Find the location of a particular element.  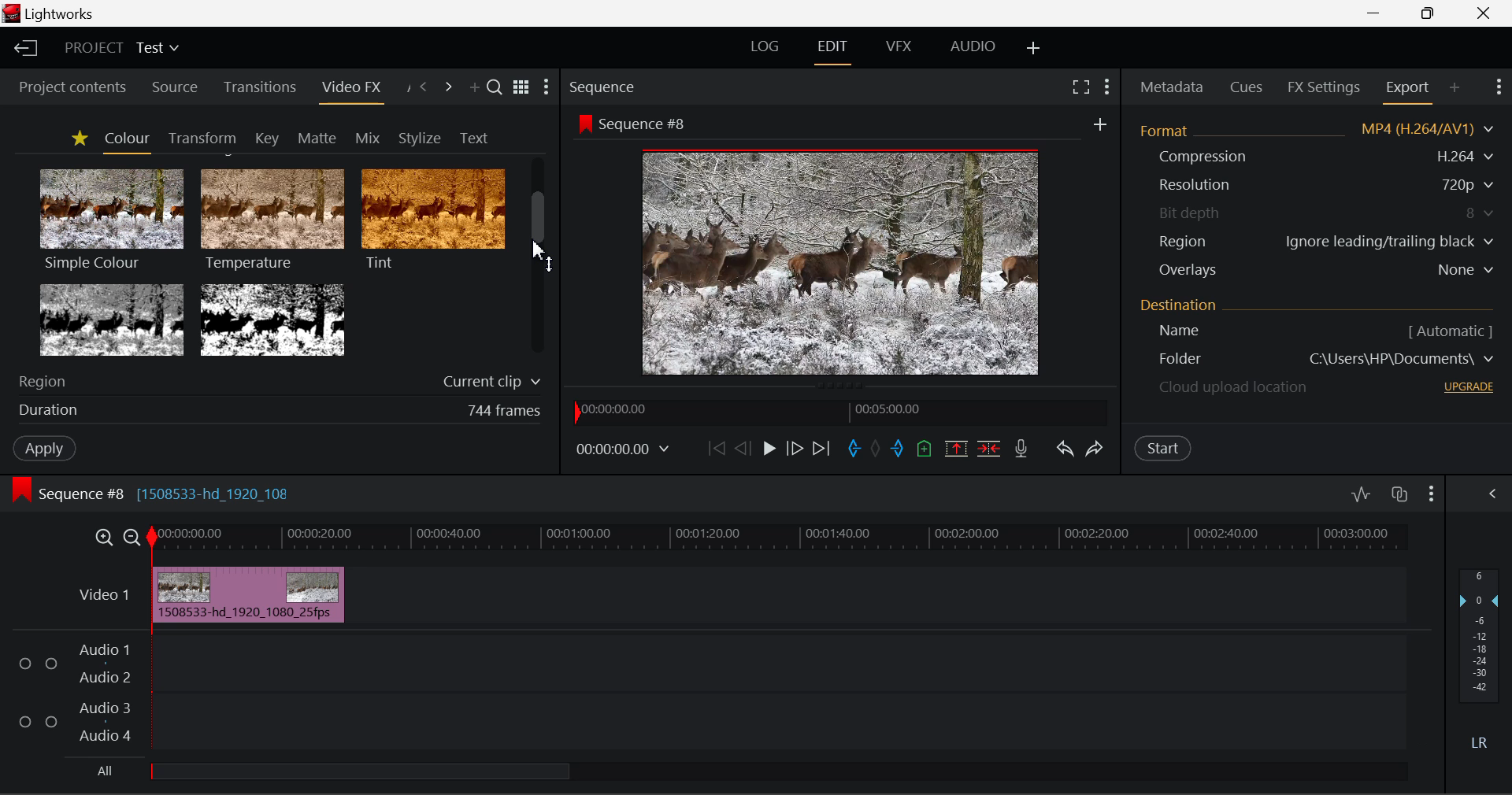

H.264  is located at coordinates (1468, 156).